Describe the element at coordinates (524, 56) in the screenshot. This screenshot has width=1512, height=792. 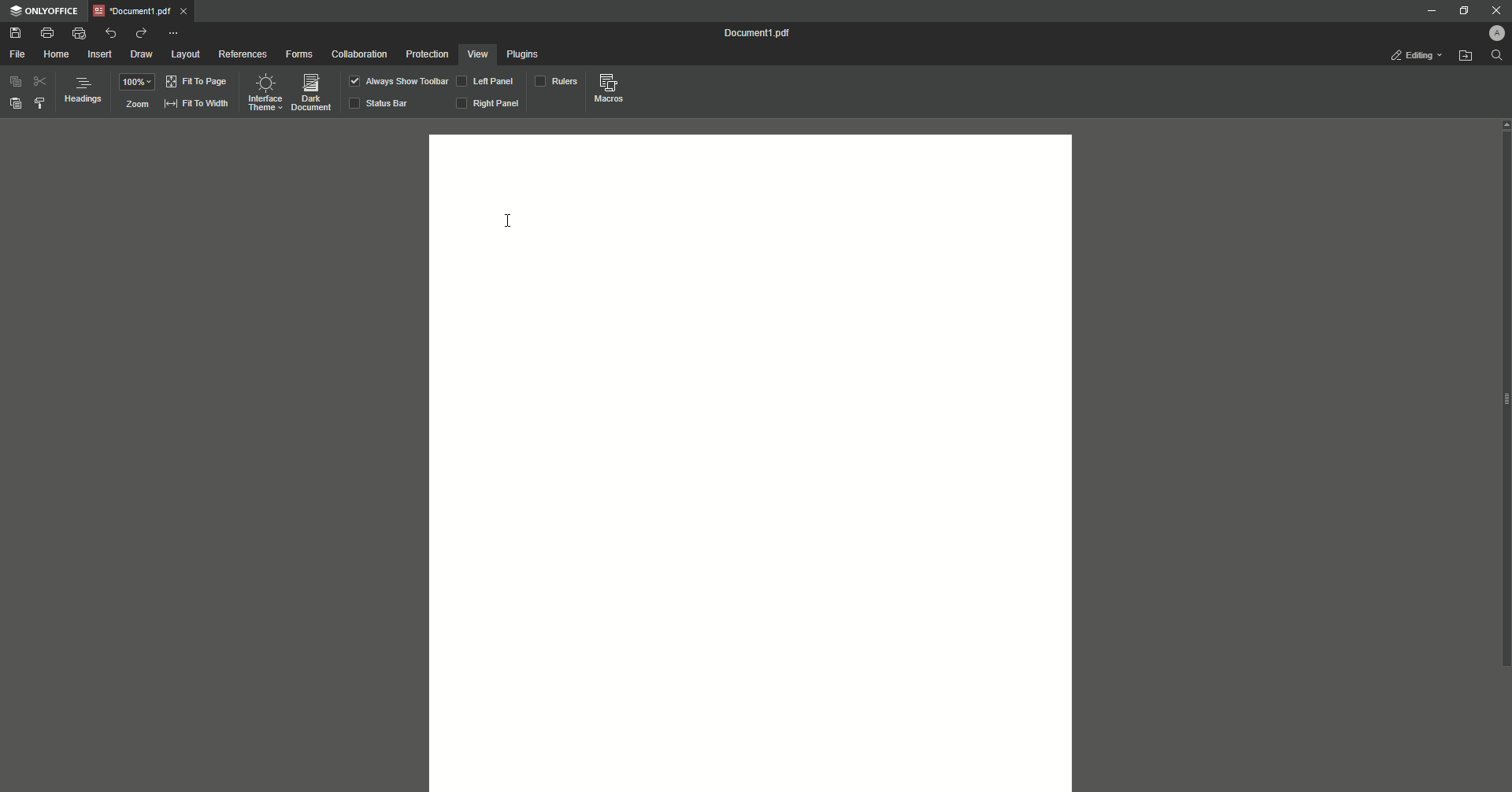
I see `Plugins` at that location.